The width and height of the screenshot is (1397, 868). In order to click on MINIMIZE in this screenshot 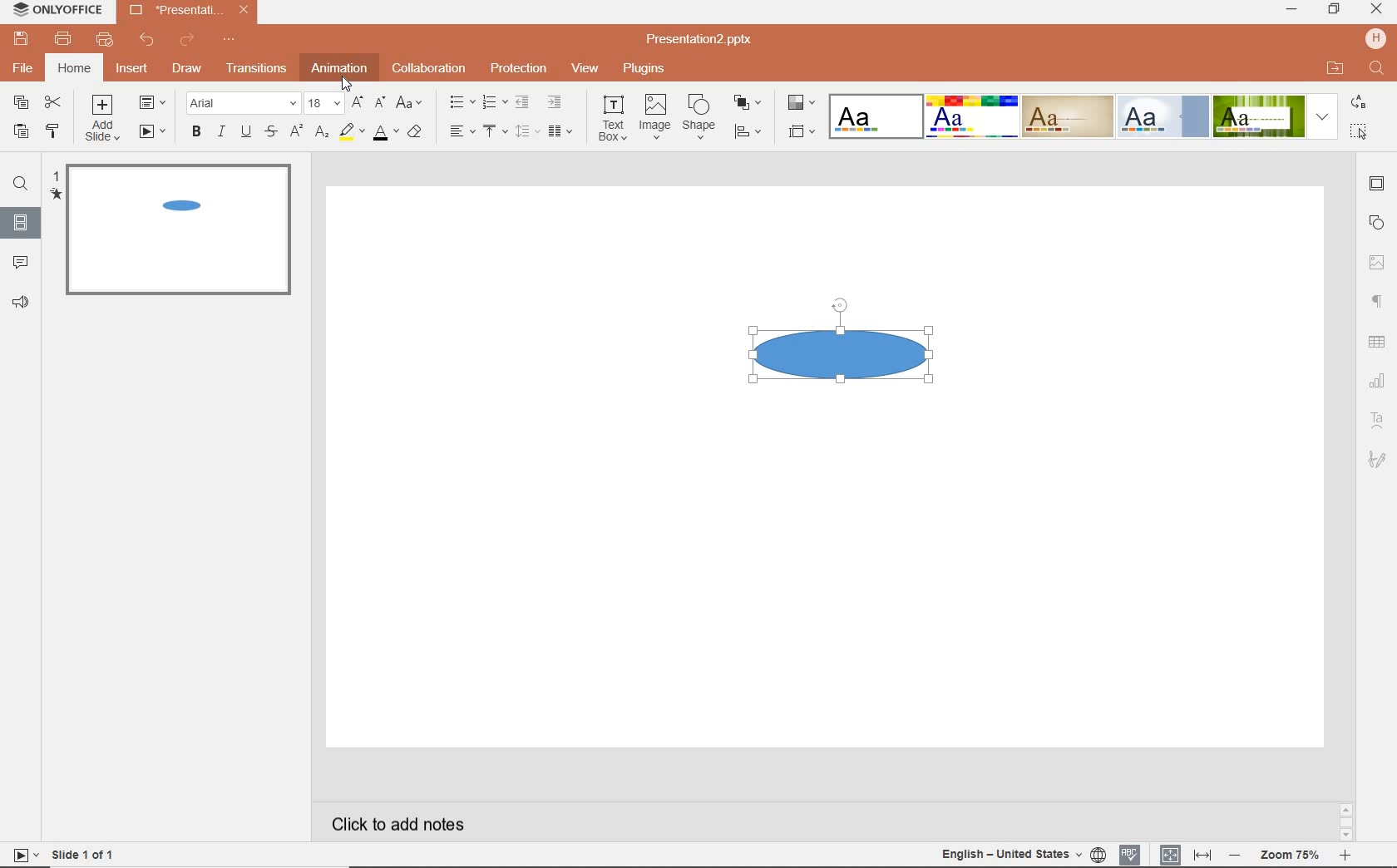, I will do `click(1290, 11)`.